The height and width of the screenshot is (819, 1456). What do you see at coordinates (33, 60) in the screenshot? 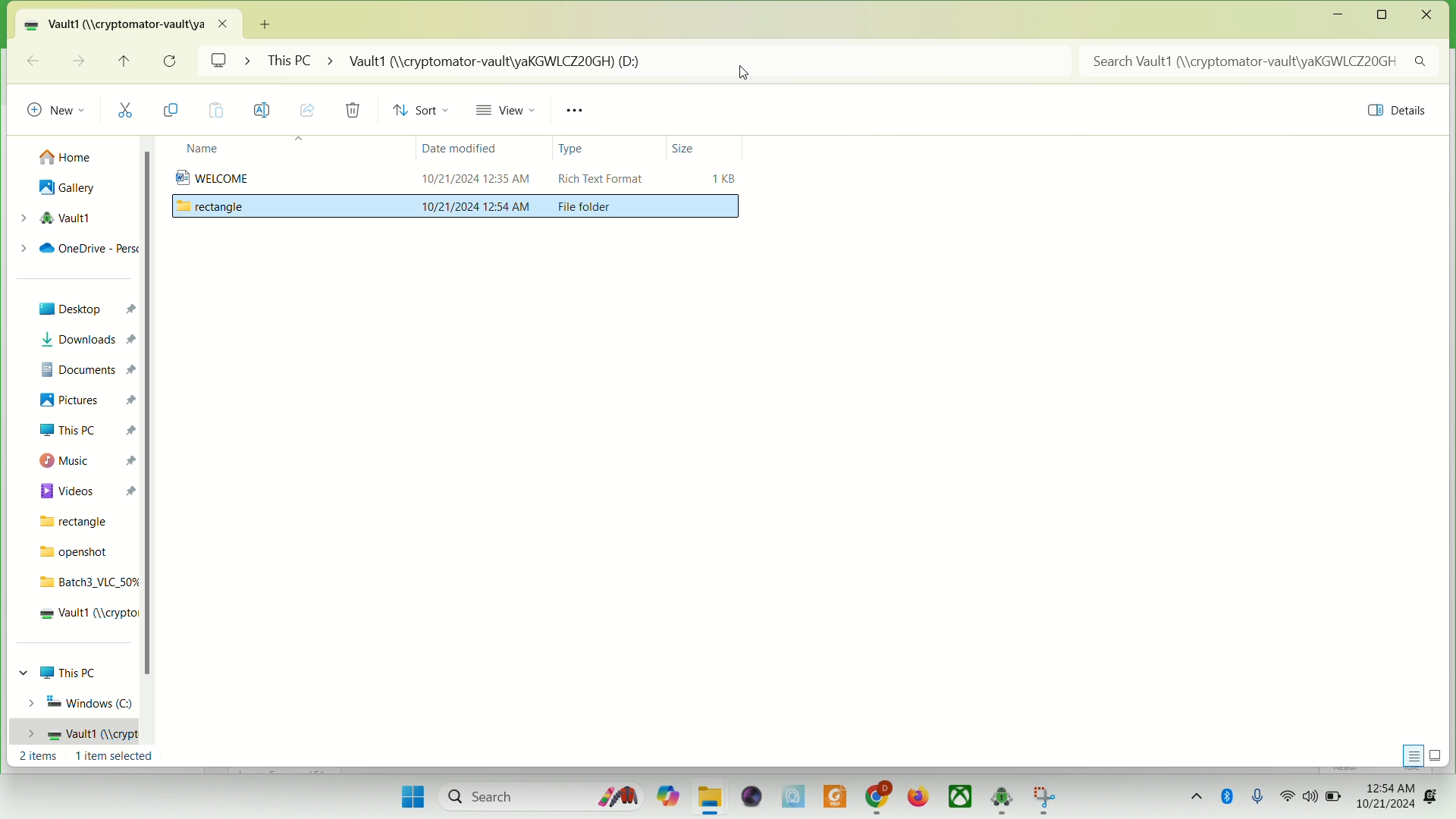
I see `go back` at bounding box center [33, 60].